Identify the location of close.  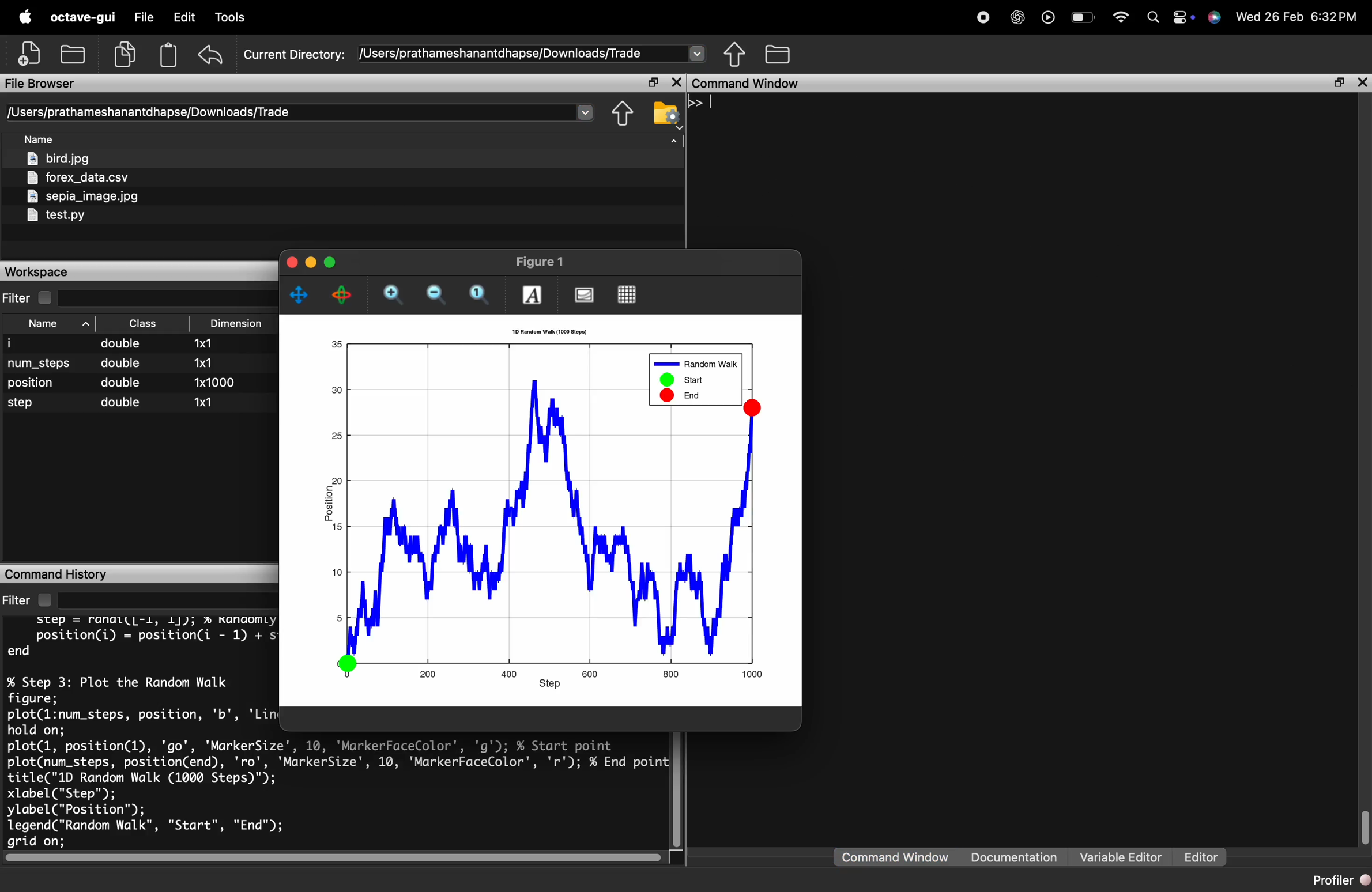
(676, 82).